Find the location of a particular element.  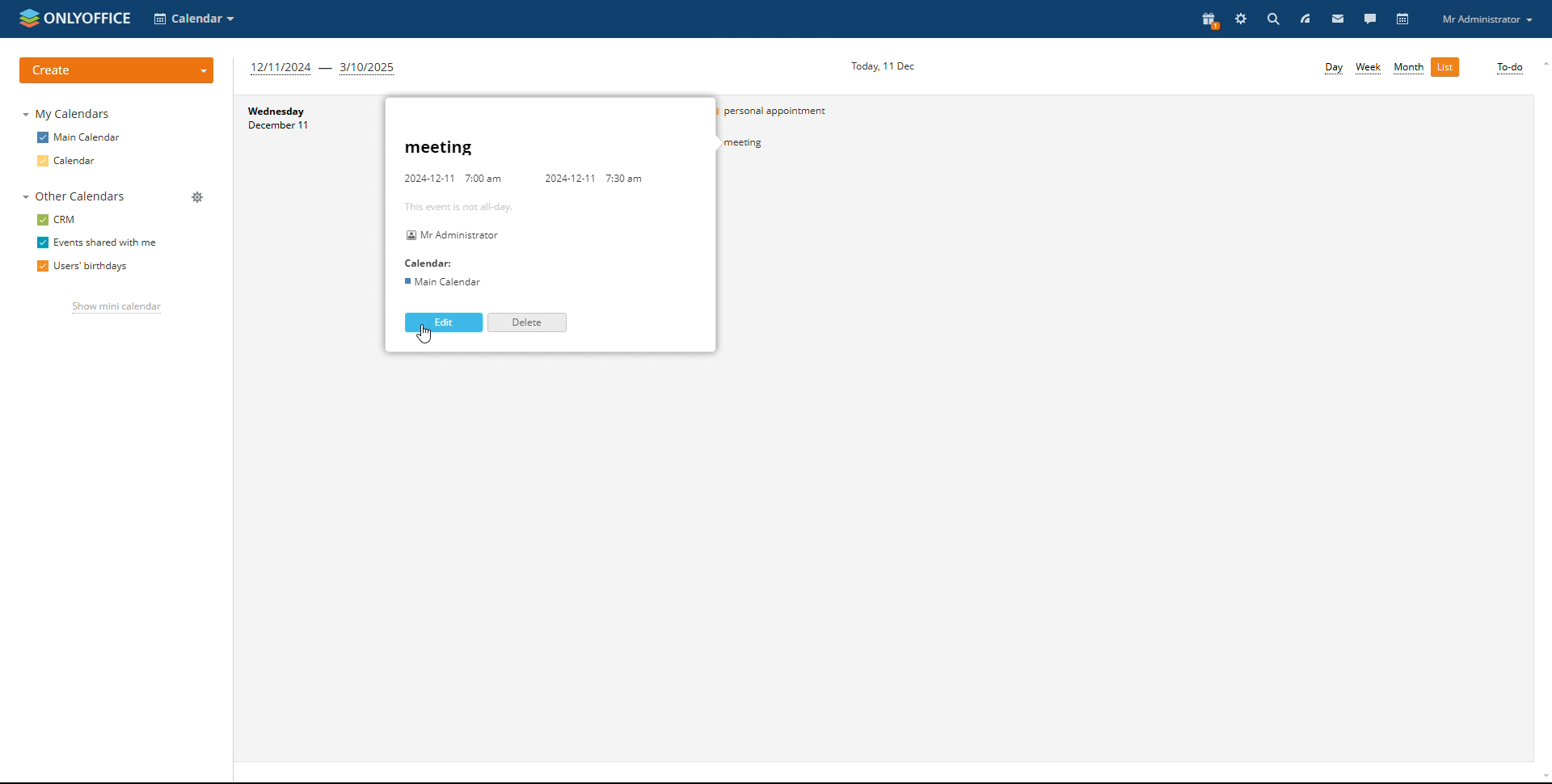

main calendar is located at coordinates (79, 137).